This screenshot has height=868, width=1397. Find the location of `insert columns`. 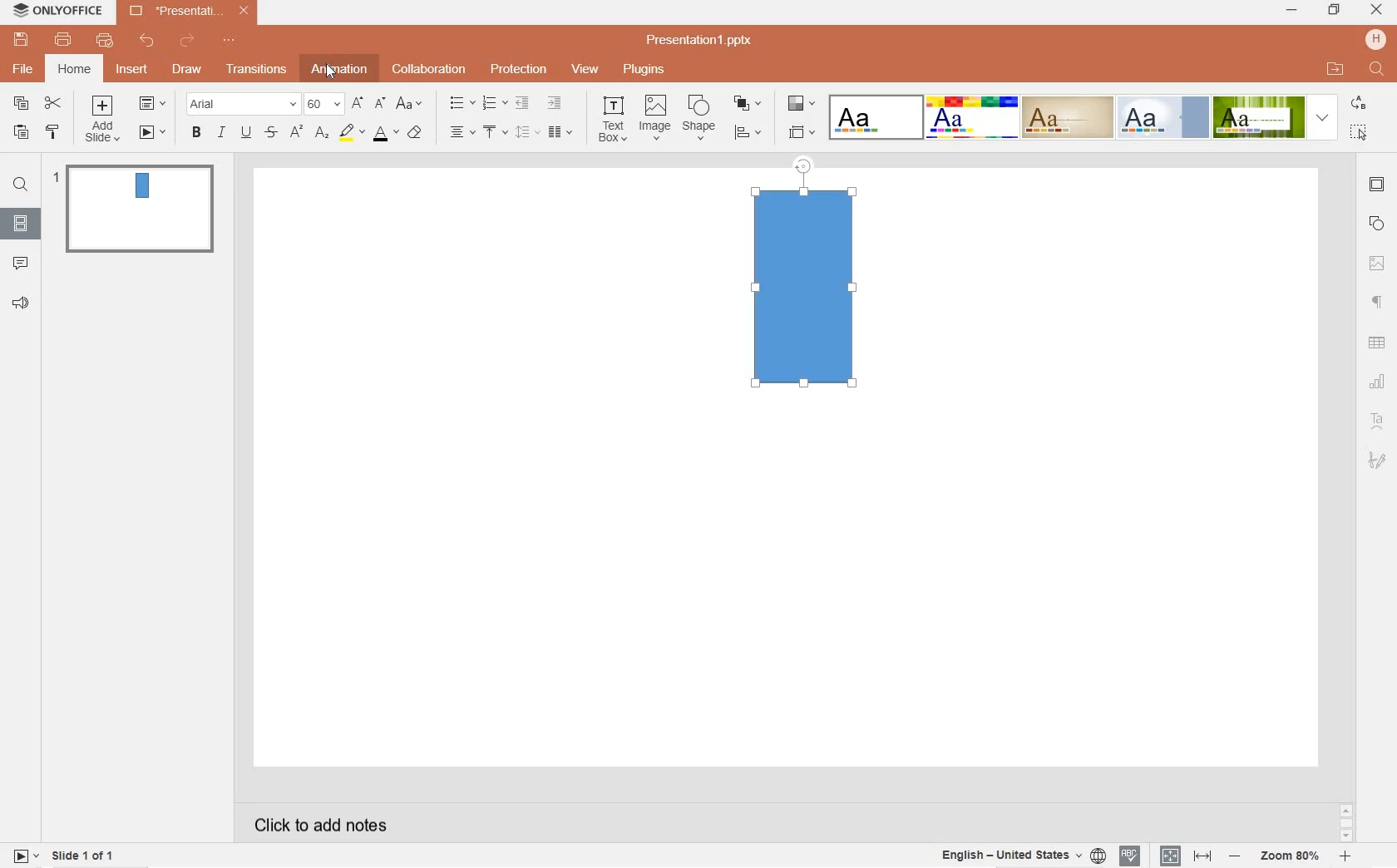

insert columns is located at coordinates (560, 131).